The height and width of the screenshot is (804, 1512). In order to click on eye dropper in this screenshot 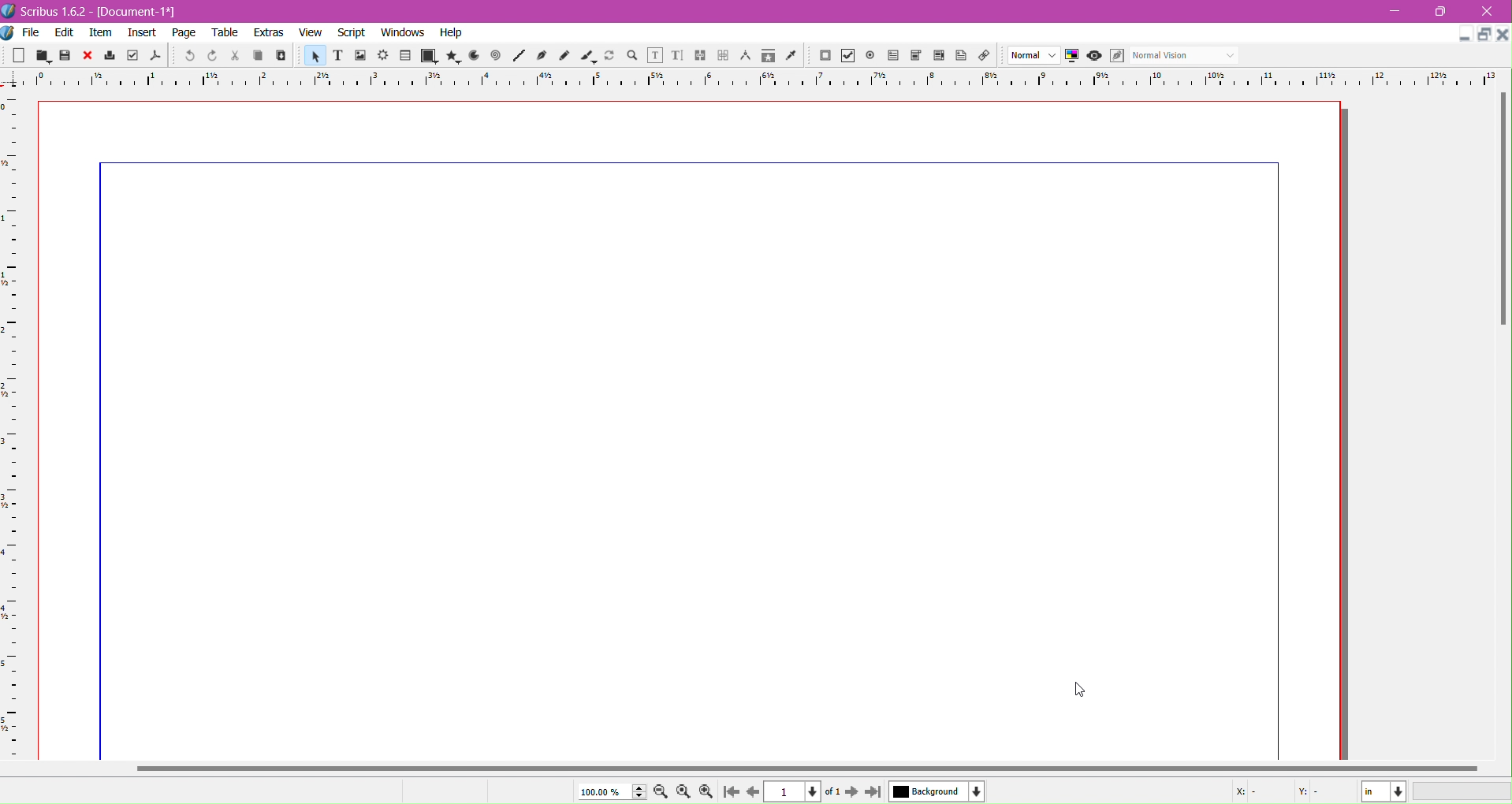, I will do `click(795, 57)`.